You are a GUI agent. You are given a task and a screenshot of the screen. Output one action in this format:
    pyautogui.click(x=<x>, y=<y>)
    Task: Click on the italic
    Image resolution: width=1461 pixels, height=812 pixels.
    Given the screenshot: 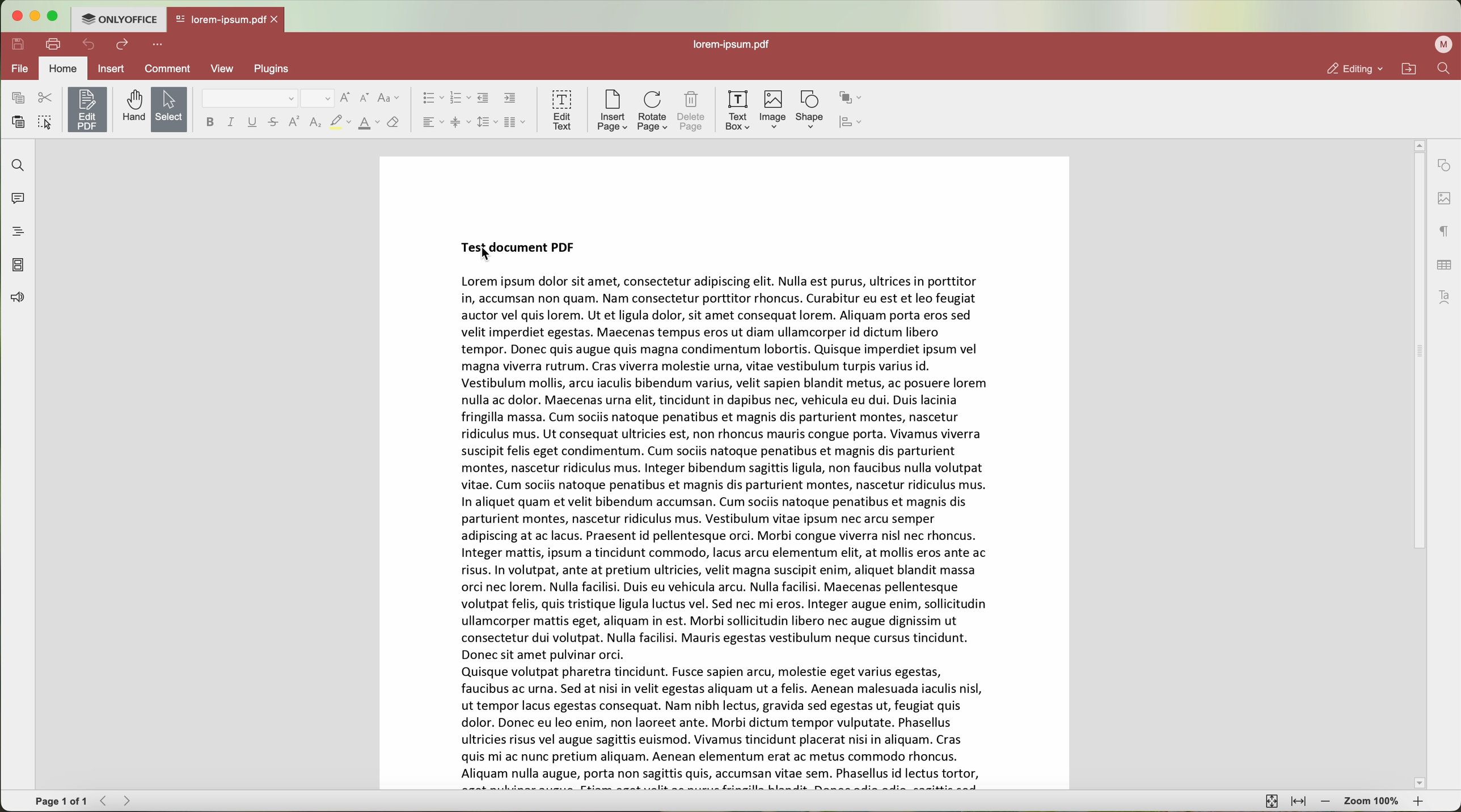 What is the action you would take?
    pyautogui.click(x=231, y=123)
    